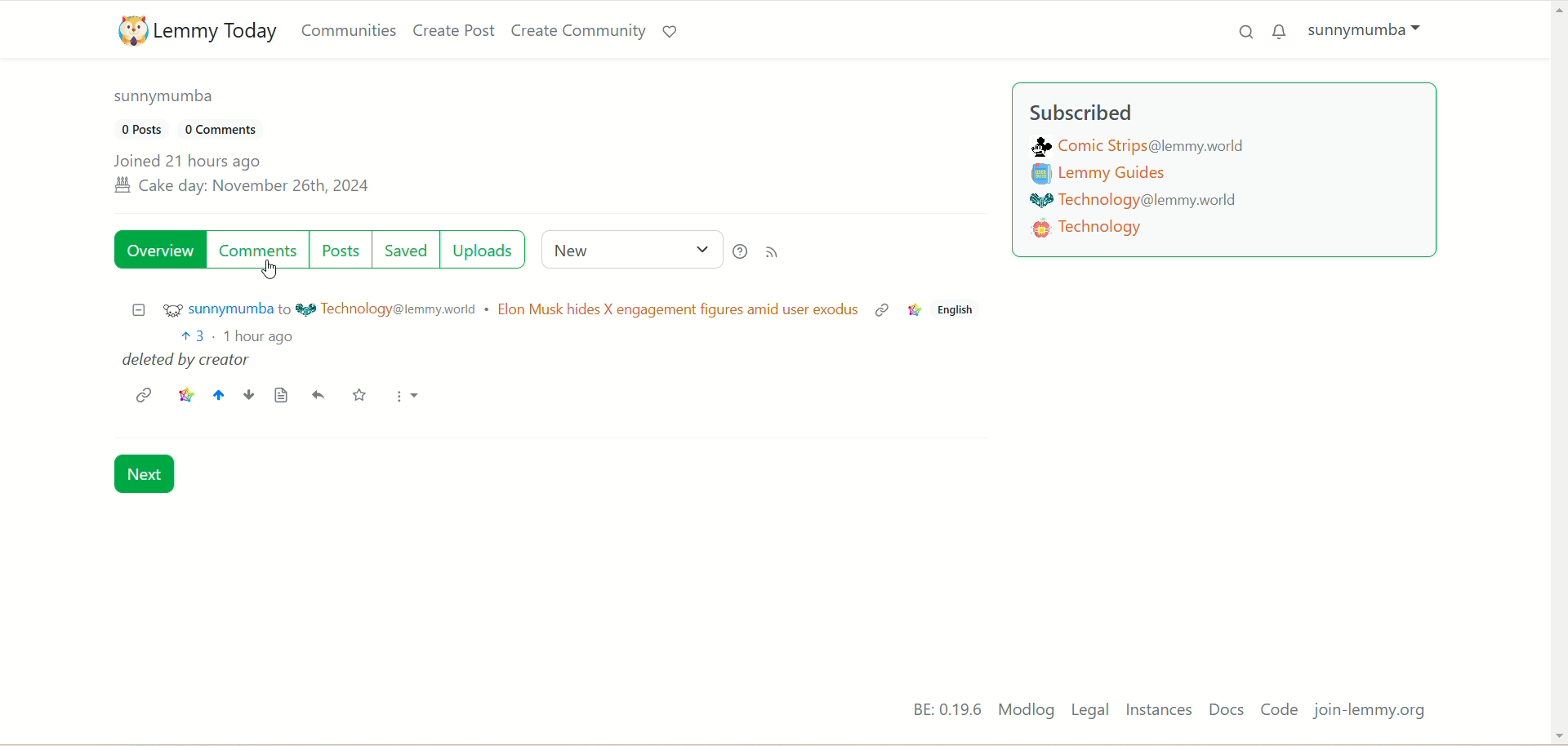 The image size is (1568, 746). What do you see at coordinates (960, 311) in the screenshot?
I see `English` at bounding box center [960, 311].